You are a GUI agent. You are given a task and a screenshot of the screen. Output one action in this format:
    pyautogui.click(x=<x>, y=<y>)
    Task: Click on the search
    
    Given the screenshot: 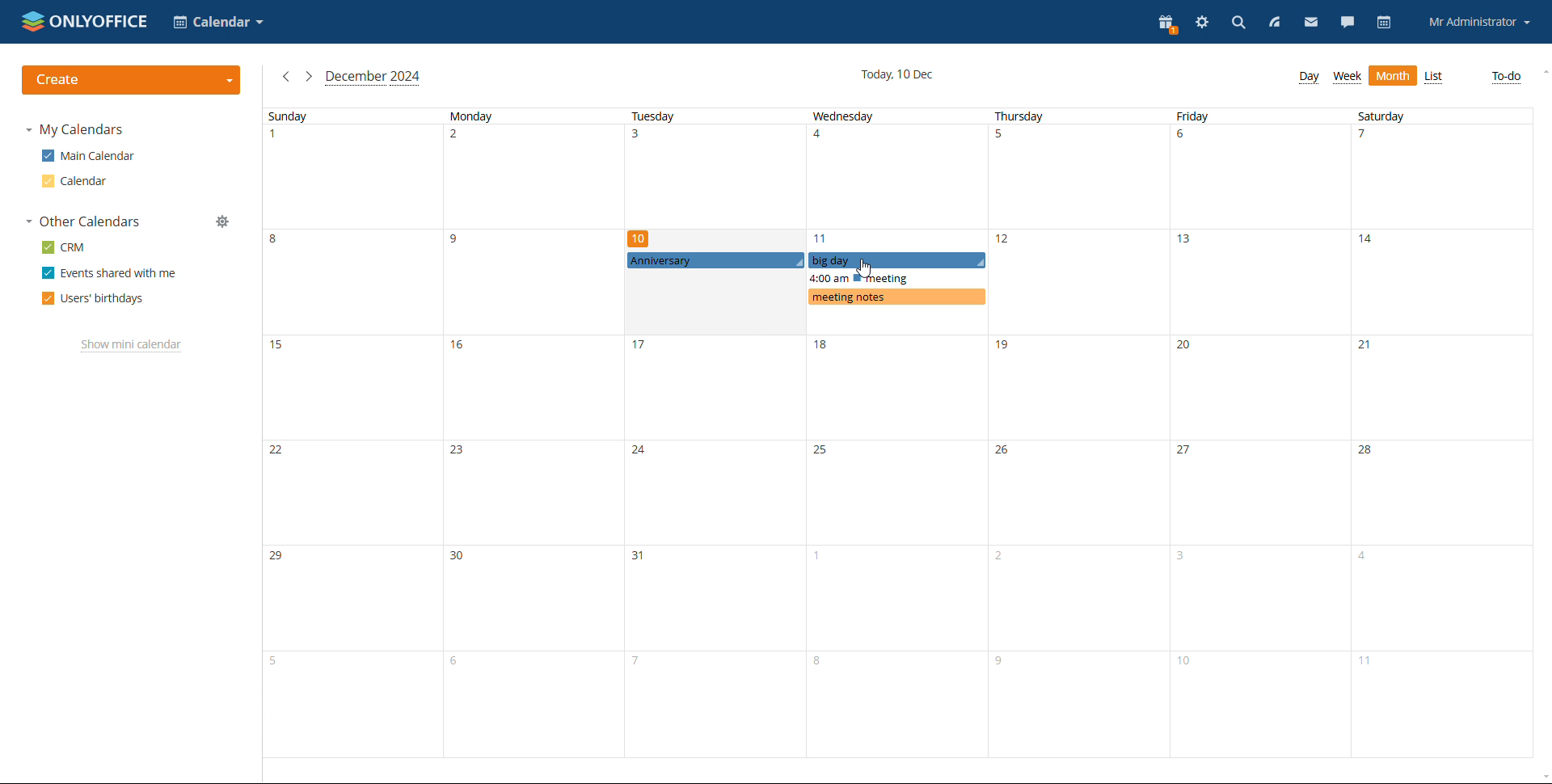 What is the action you would take?
    pyautogui.click(x=1239, y=22)
    